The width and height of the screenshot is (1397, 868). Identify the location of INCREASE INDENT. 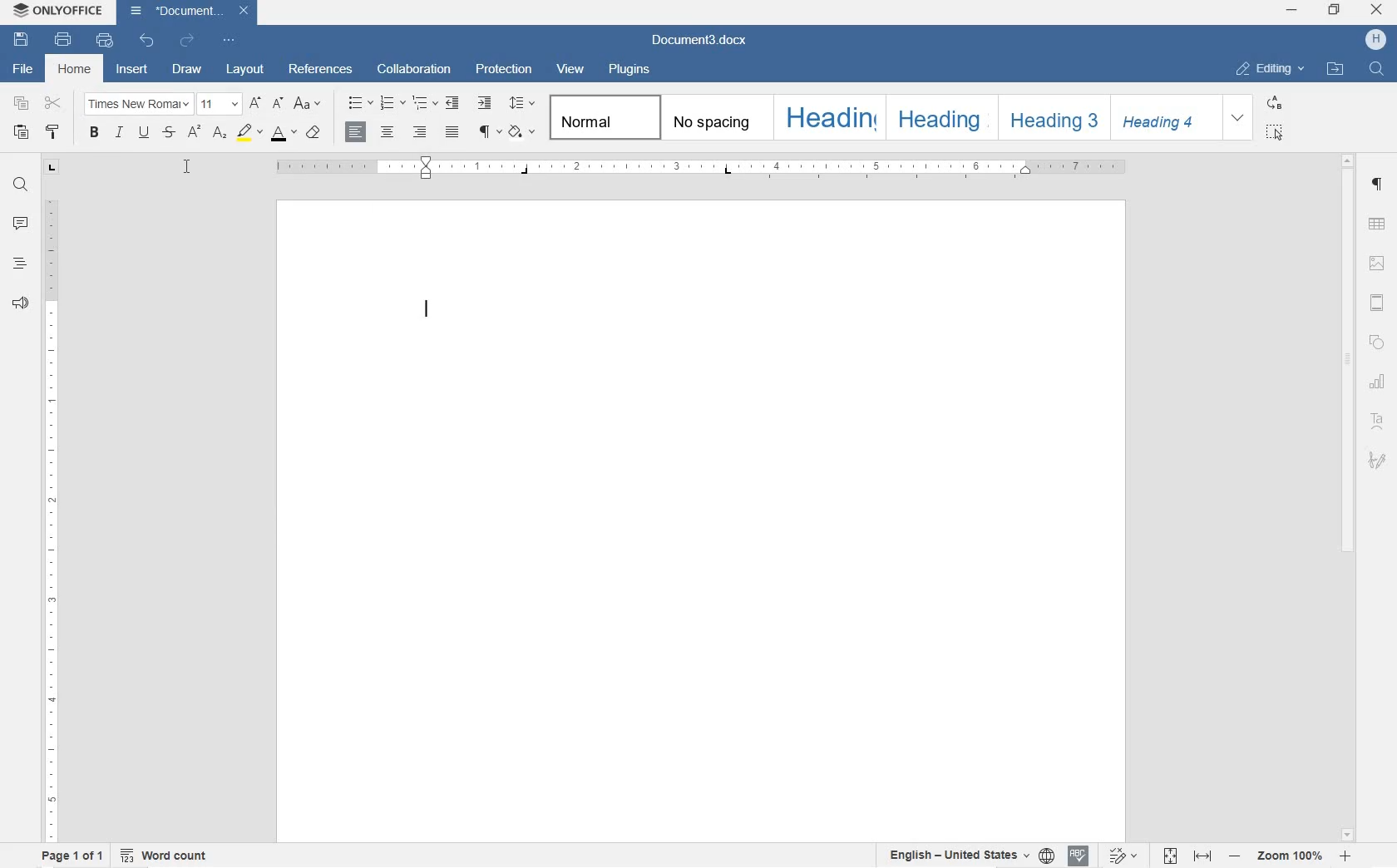
(486, 104).